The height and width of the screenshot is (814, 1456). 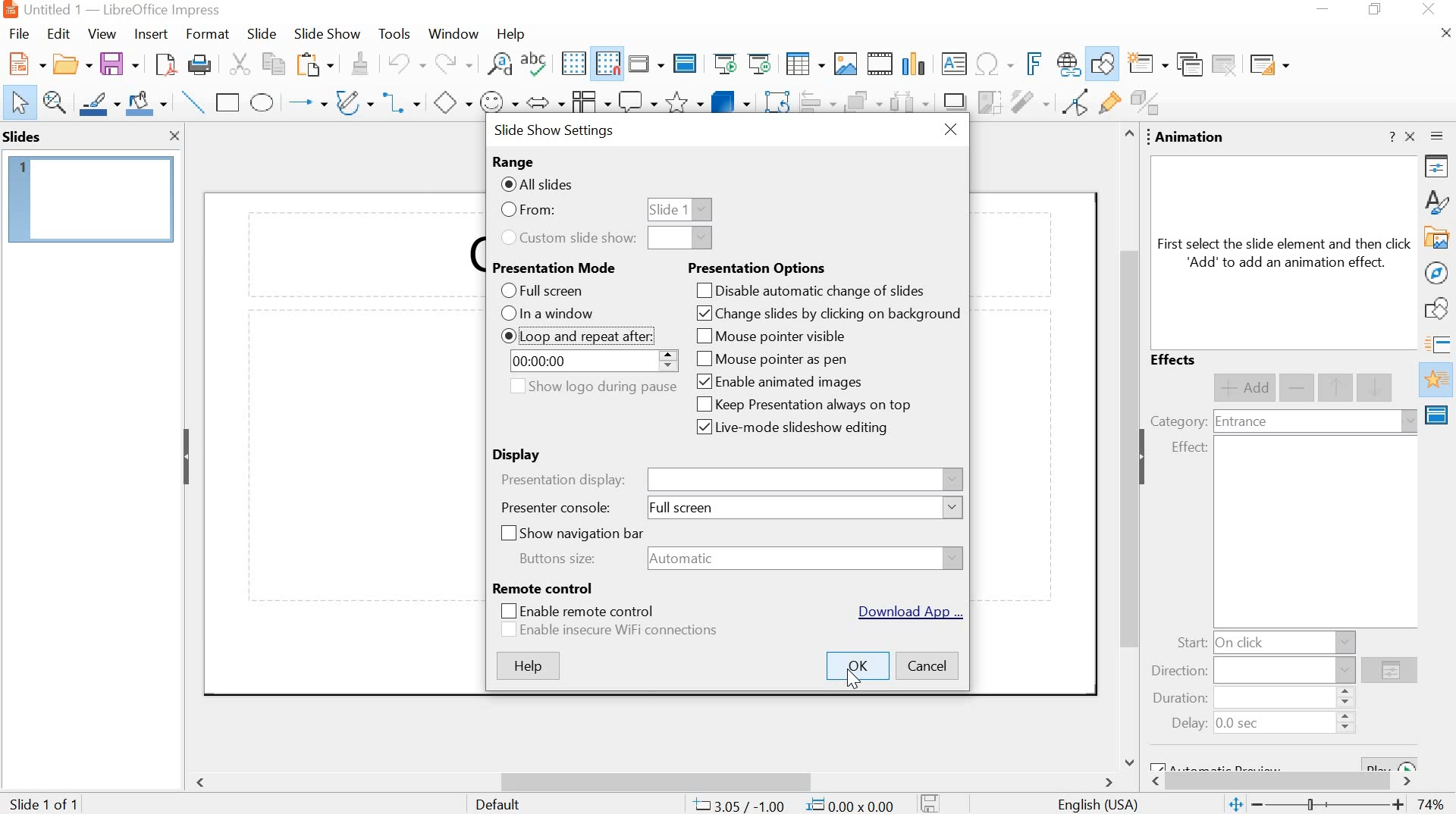 I want to click on stars and banners, so click(x=684, y=104).